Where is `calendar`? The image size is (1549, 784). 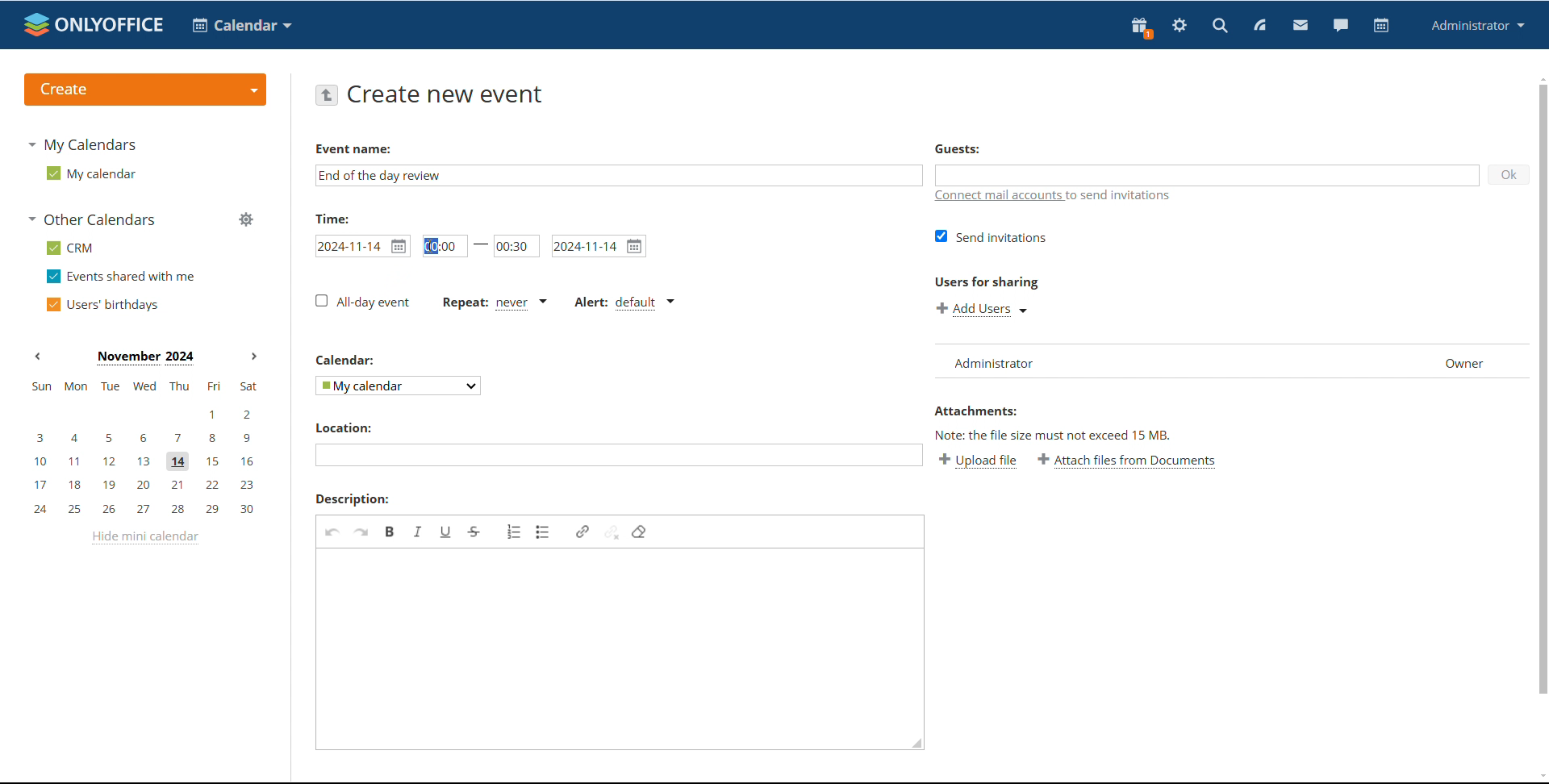
calendar is located at coordinates (242, 25).